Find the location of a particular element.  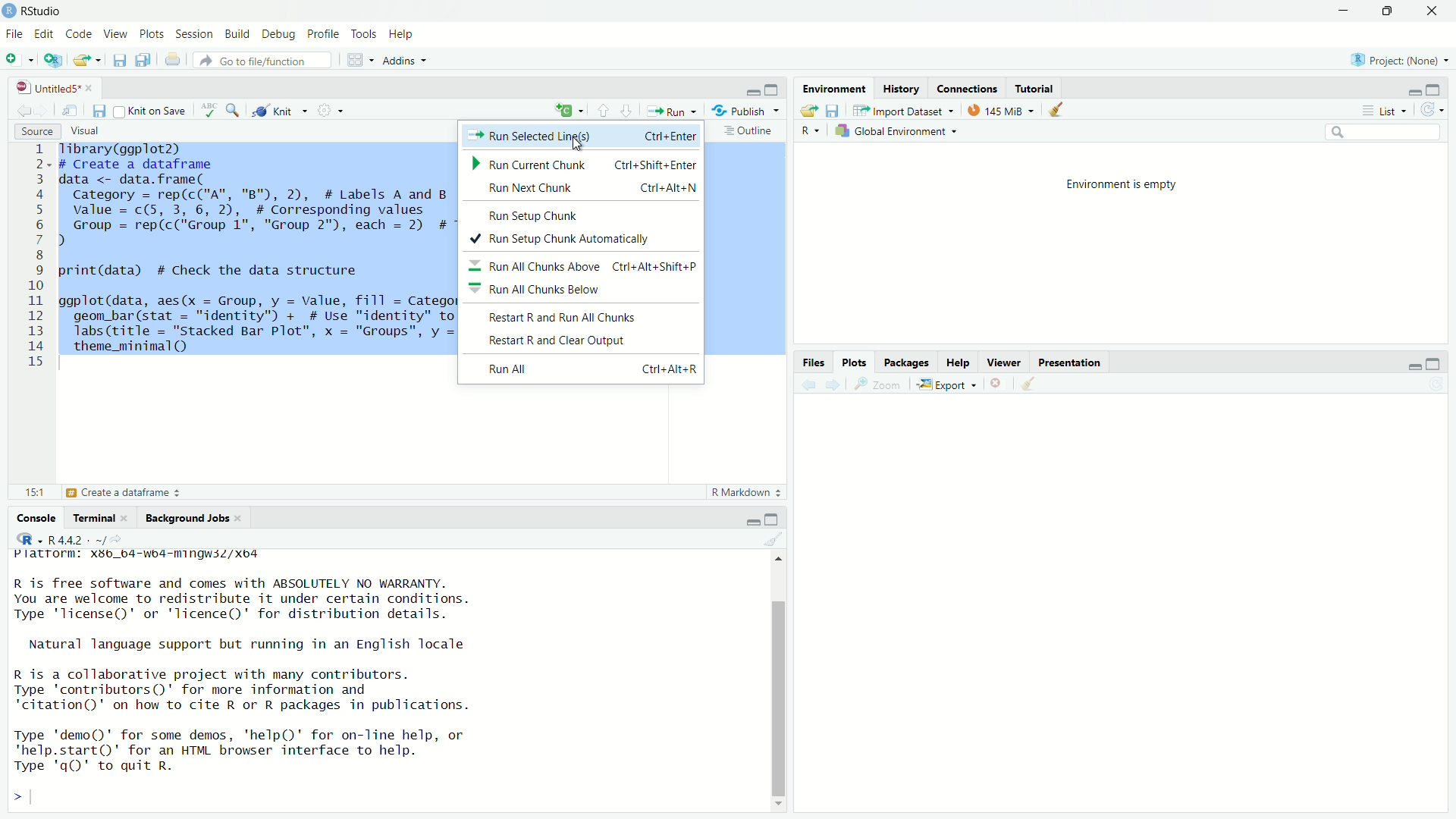

Close is located at coordinates (999, 384).